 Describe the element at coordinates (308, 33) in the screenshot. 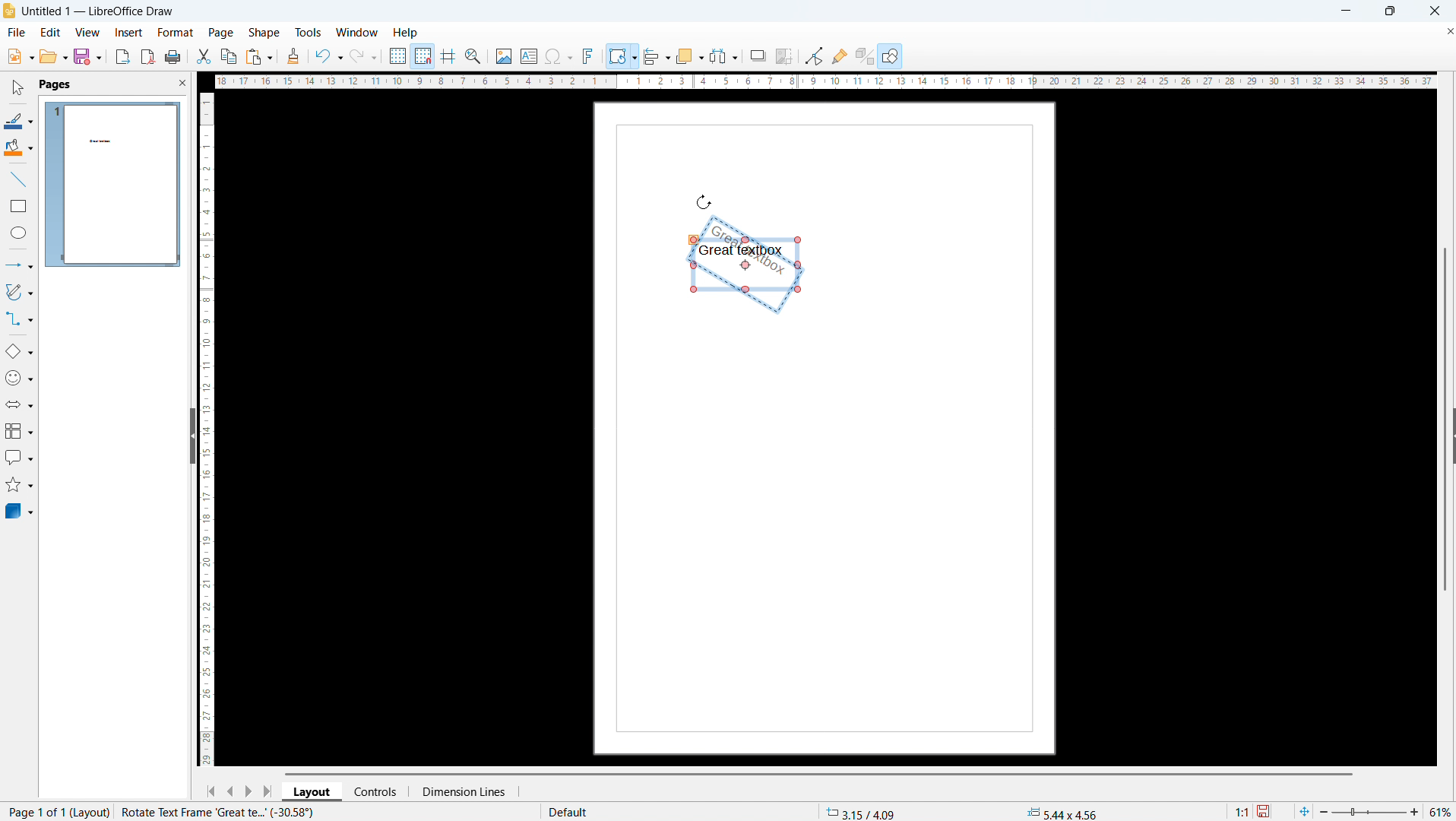

I see `tools` at that location.